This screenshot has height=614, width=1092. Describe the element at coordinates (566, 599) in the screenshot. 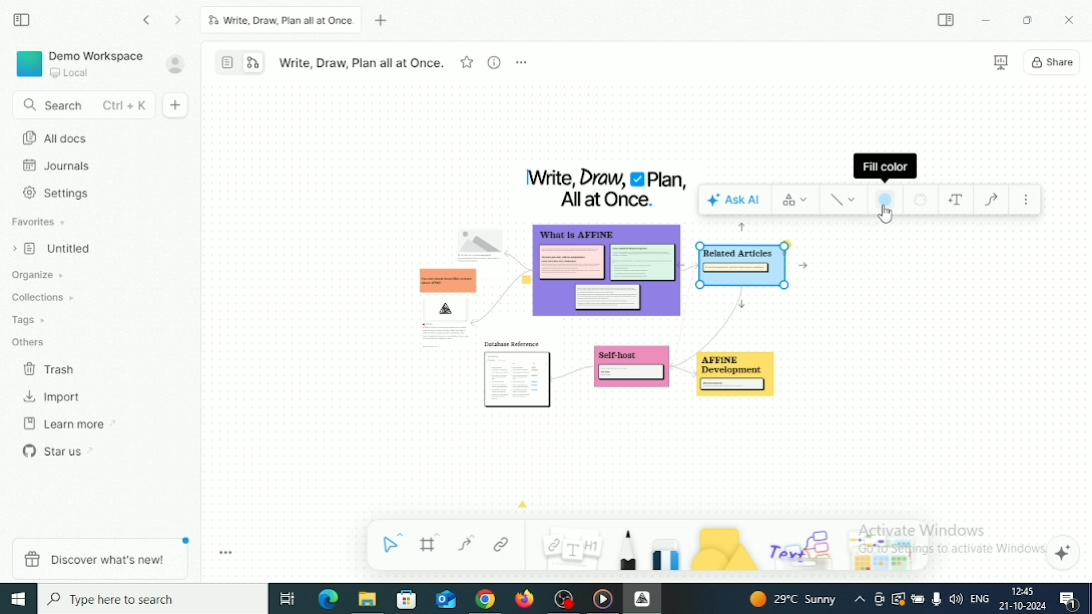

I see `OBS Studio` at that location.